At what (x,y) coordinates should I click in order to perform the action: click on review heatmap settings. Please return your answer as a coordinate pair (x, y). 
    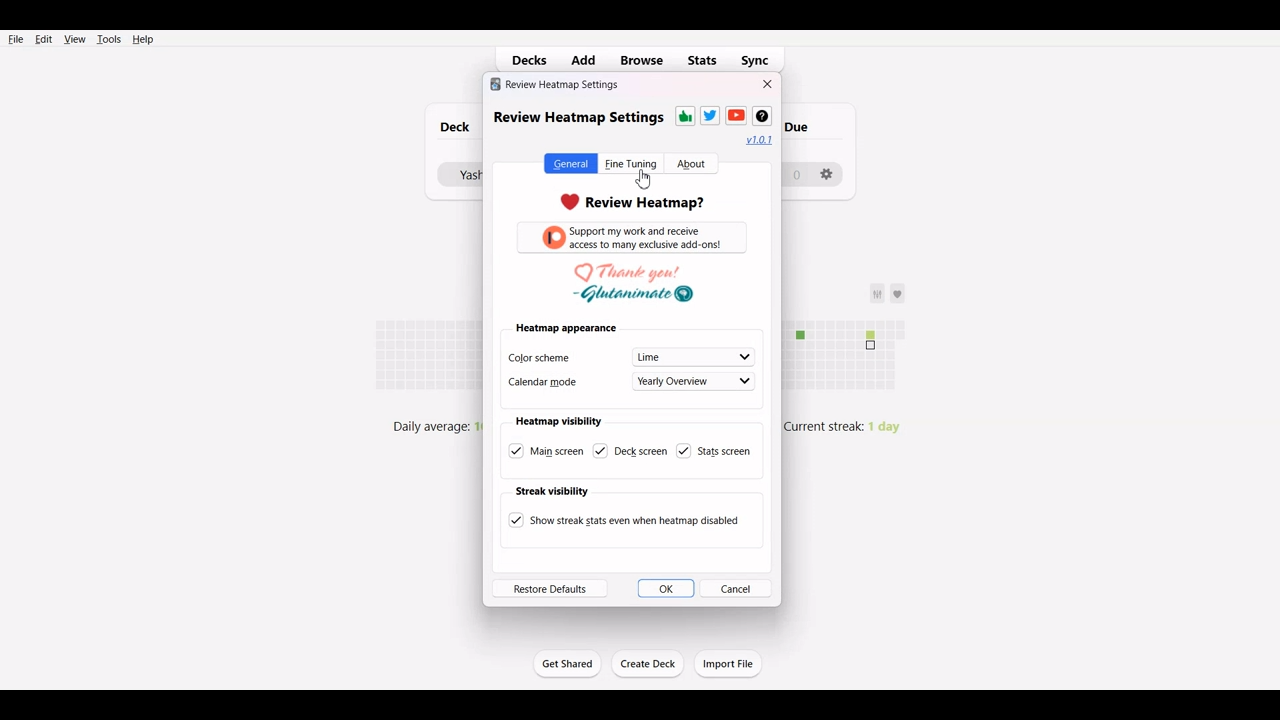
    Looking at the image, I should click on (555, 84).